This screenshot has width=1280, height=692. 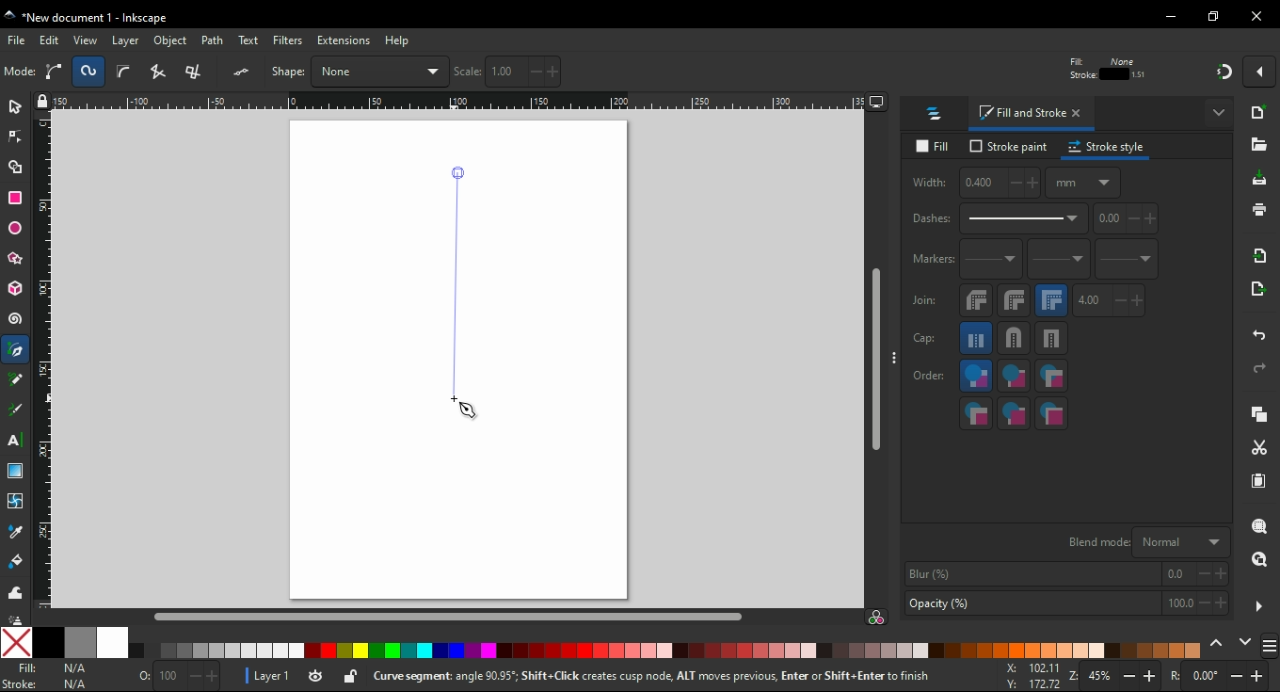 I want to click on star/polygon tool, so click(x=17, y=258).